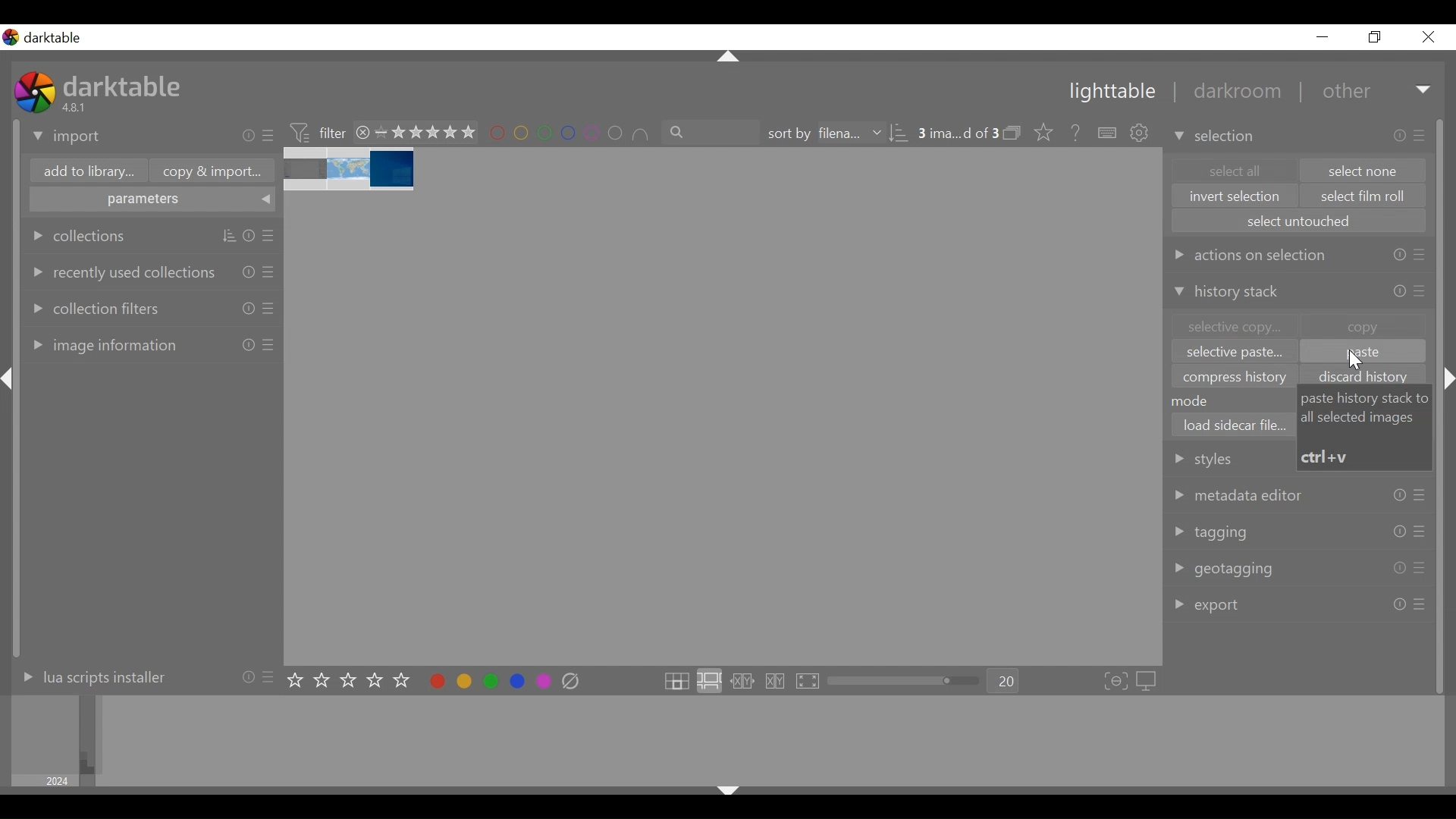  What do you see at coordinates (823, 133) in the screenshot?
I see `sort by` at bounding box center [823, 133].